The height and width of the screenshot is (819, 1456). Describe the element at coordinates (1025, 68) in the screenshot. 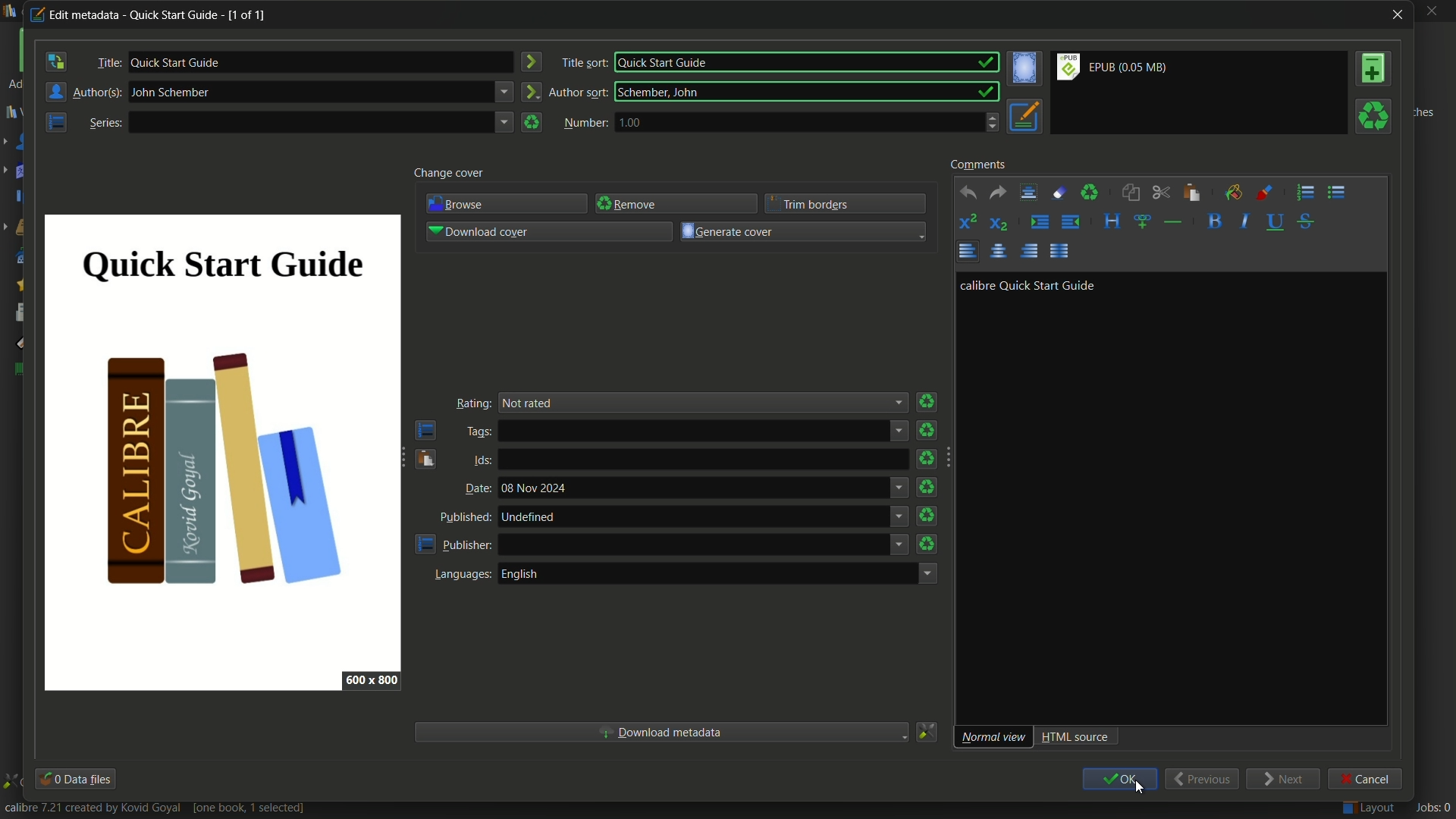

I see `set the cover` at that location.